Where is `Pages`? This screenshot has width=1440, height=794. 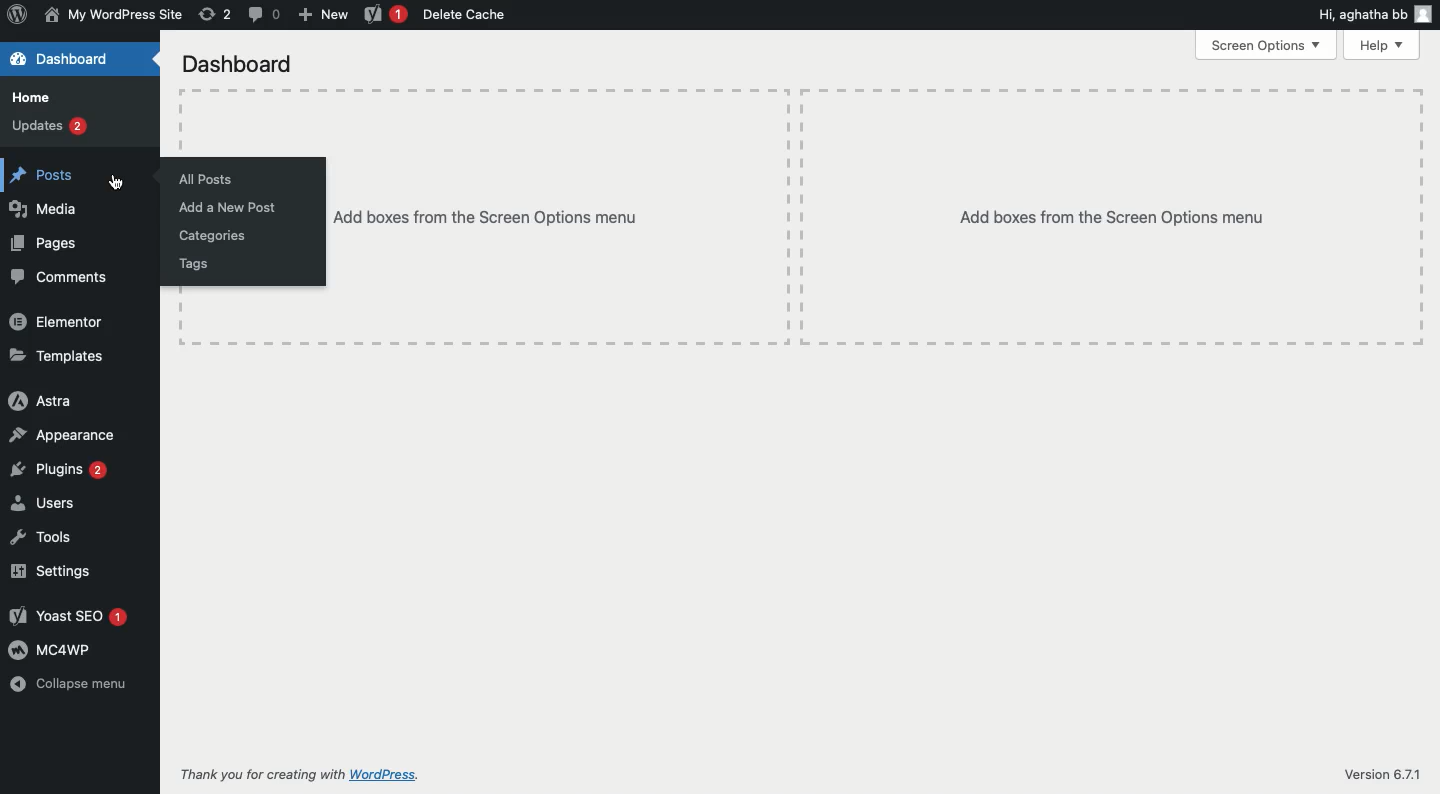 Pages is located at coordinates (44, 243).